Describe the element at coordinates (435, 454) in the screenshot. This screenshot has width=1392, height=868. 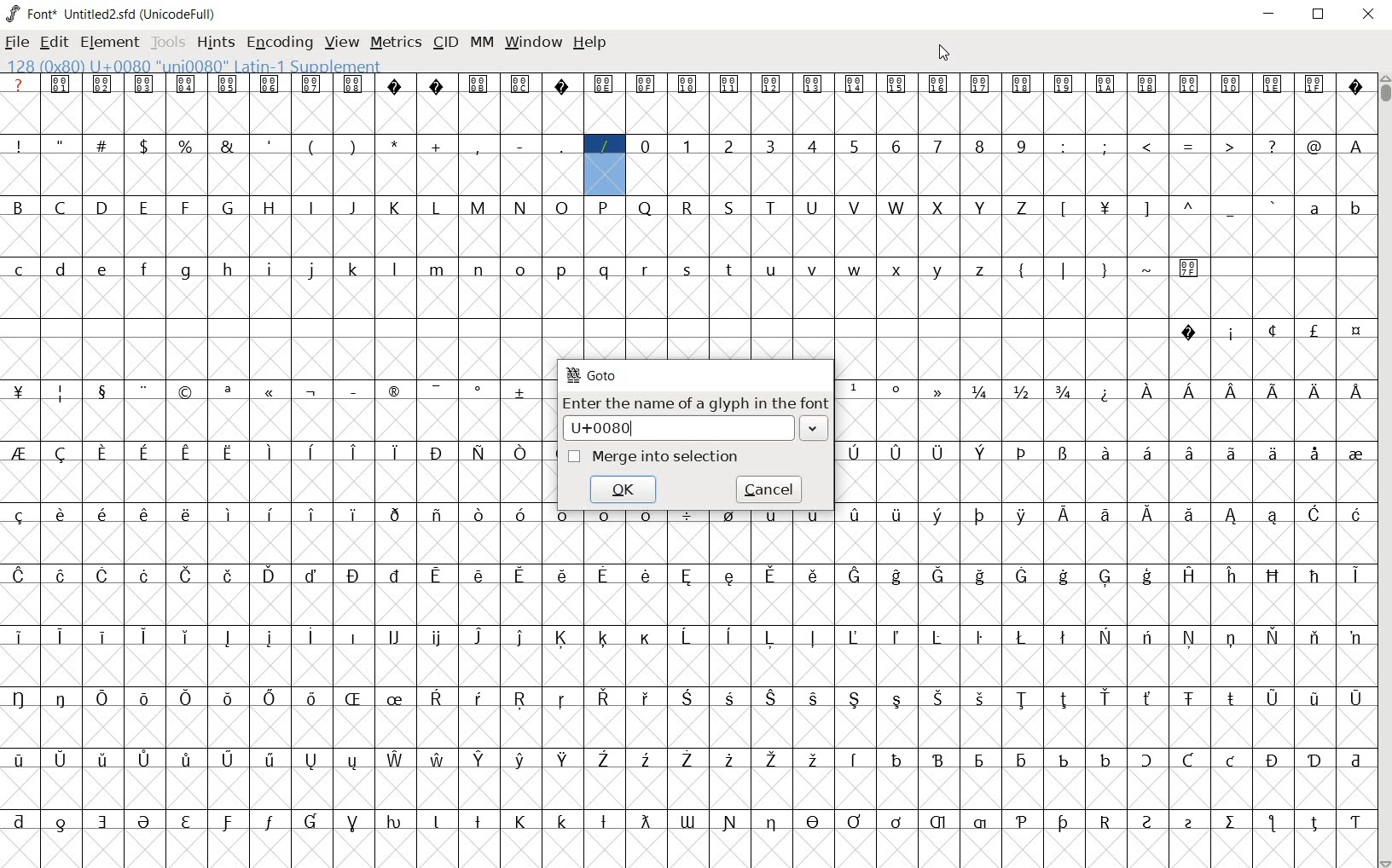
I see `glyph` at that location.